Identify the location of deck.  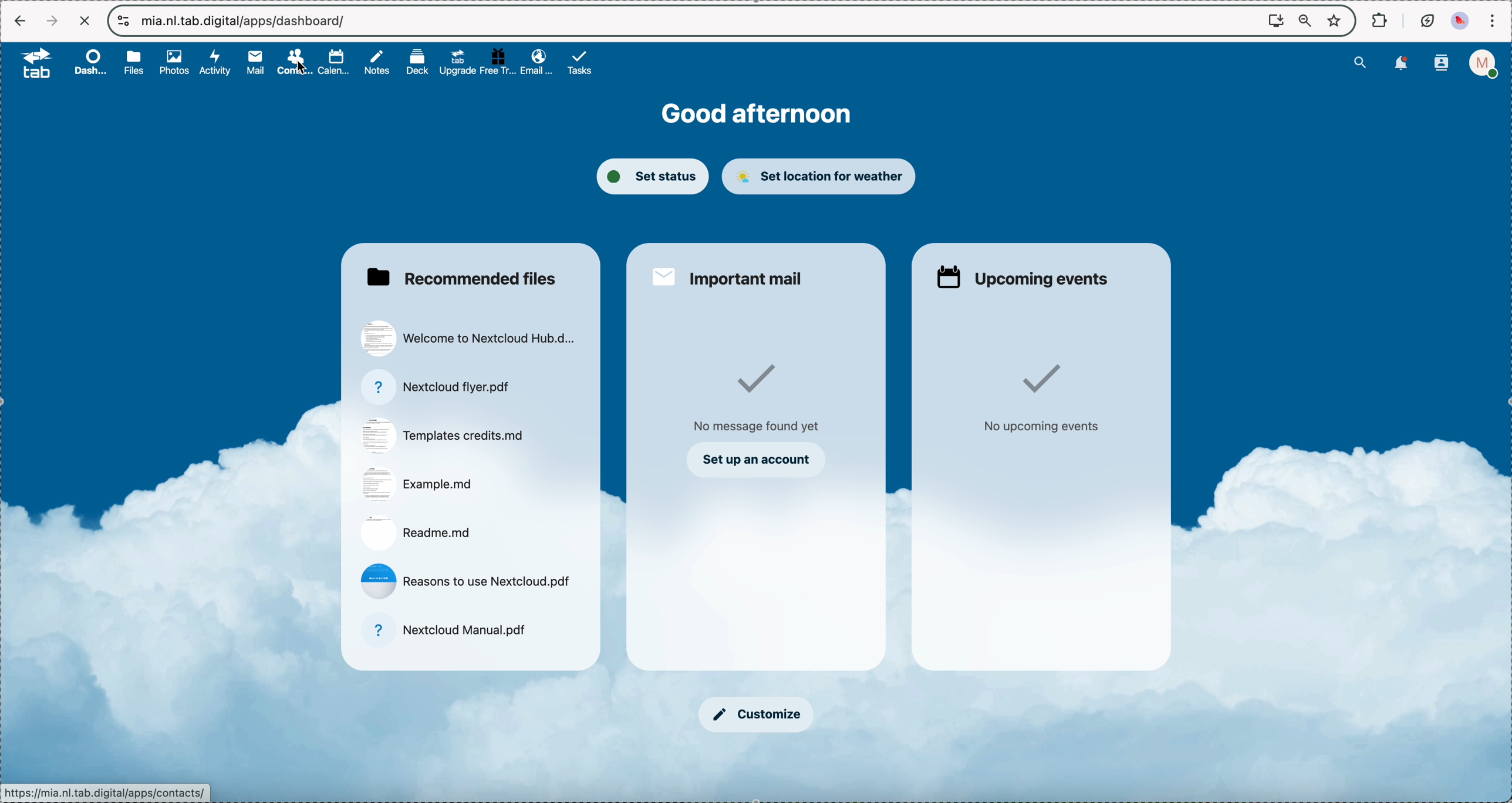
(416, 63).